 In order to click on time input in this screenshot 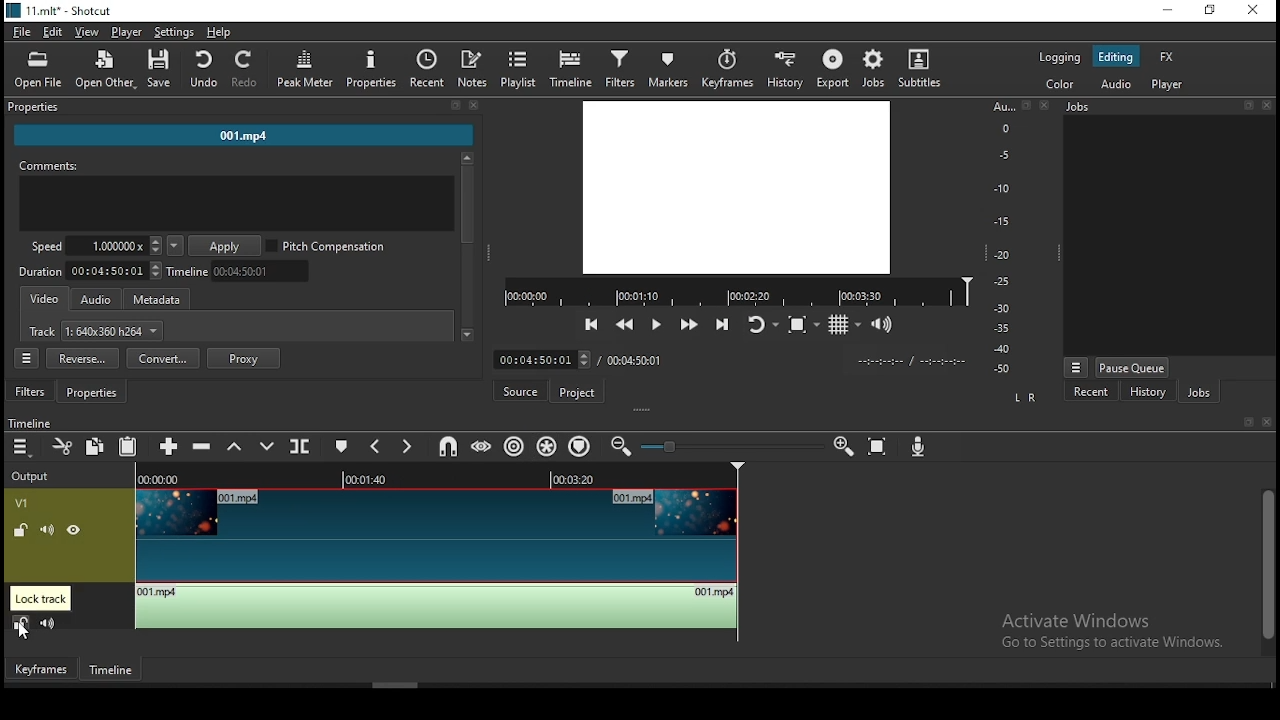, I will do `click(541, 358)`.